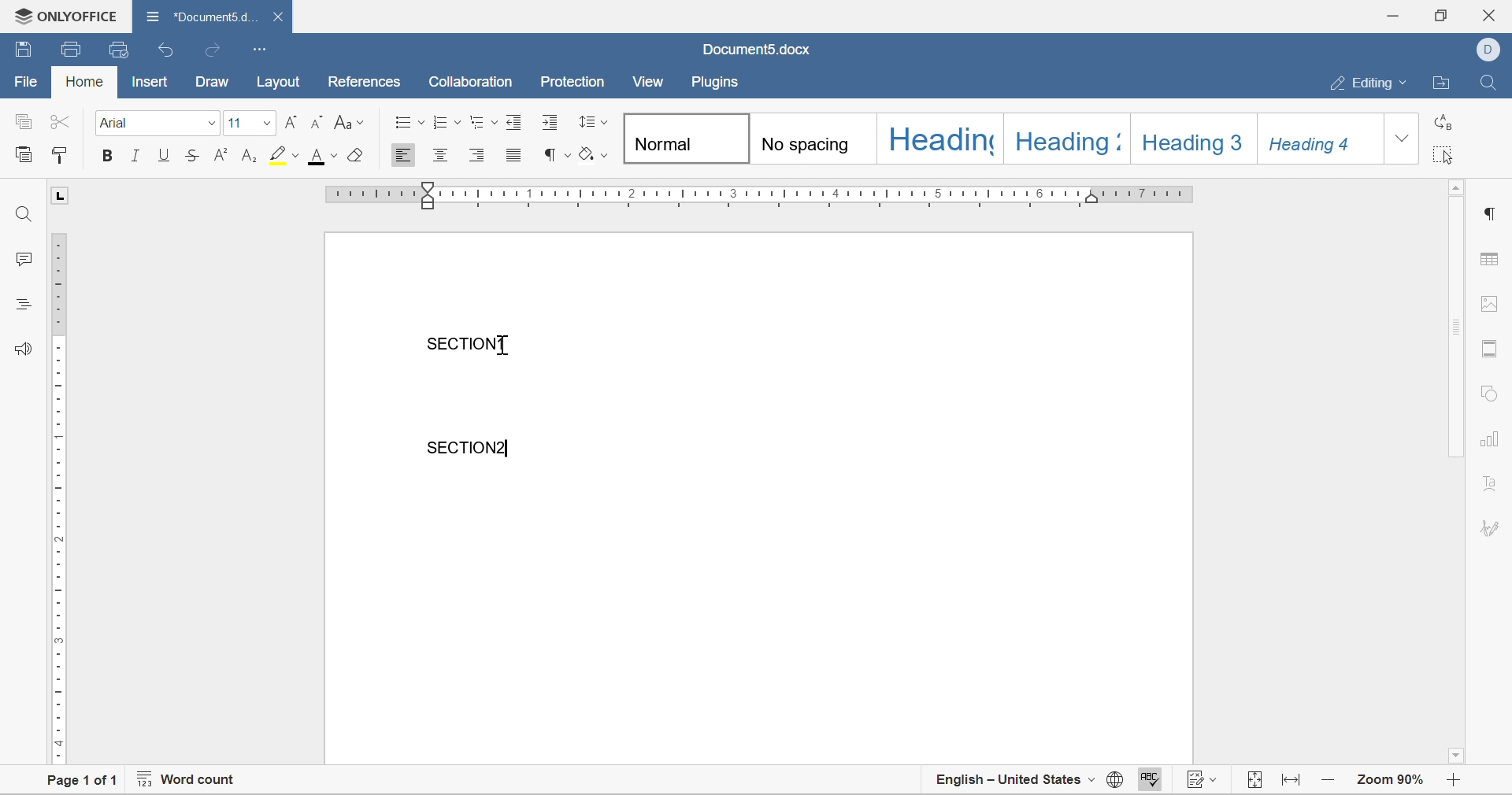 The height and width of the screenshot is (795, 1512). Describe the element at coordinates (551, 122) in the screenshot. I see `Increase indent` at that location.